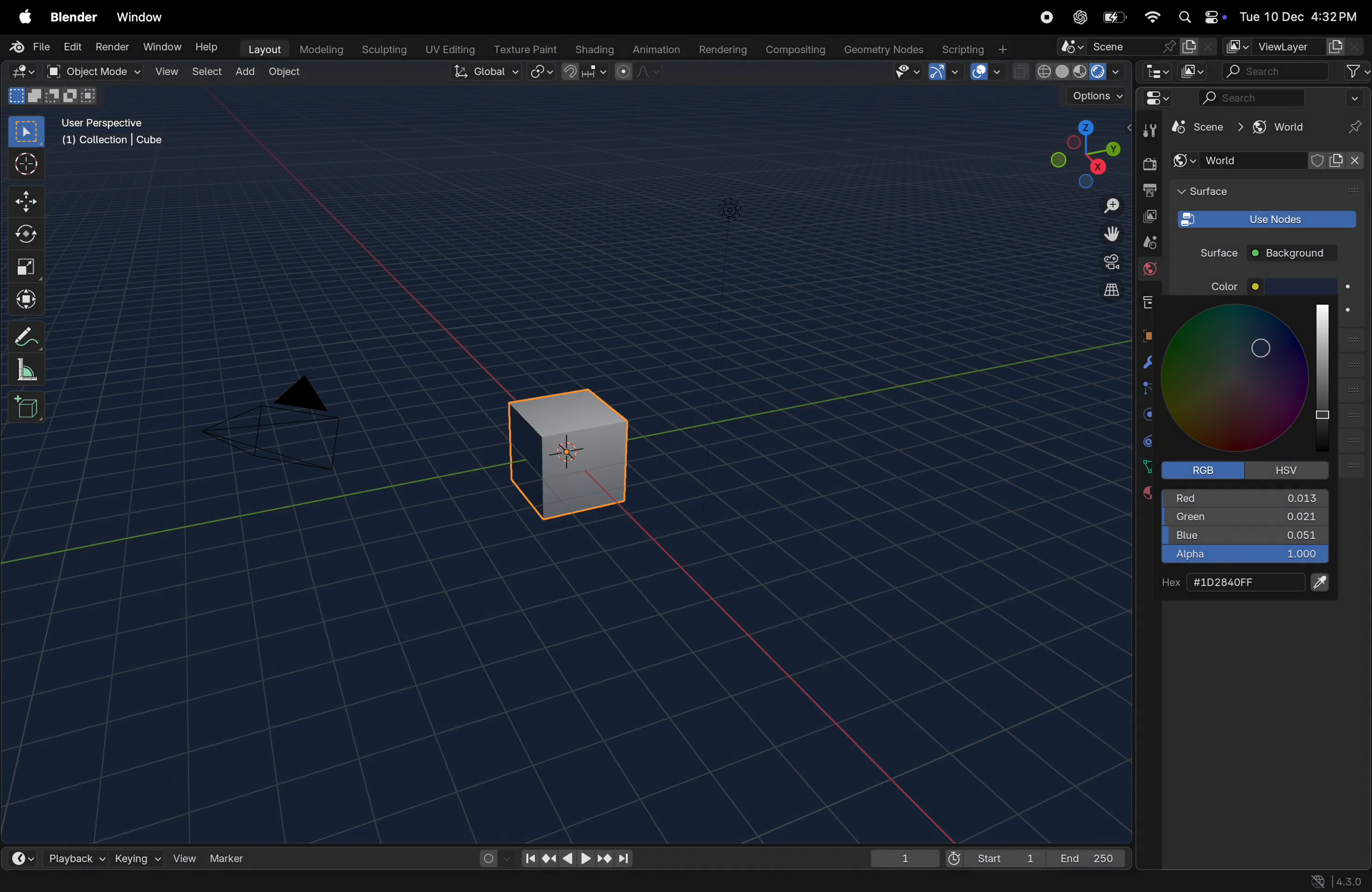 This screenshot has width=1372, height=892. I want to click on collection, so click(1146, 302).